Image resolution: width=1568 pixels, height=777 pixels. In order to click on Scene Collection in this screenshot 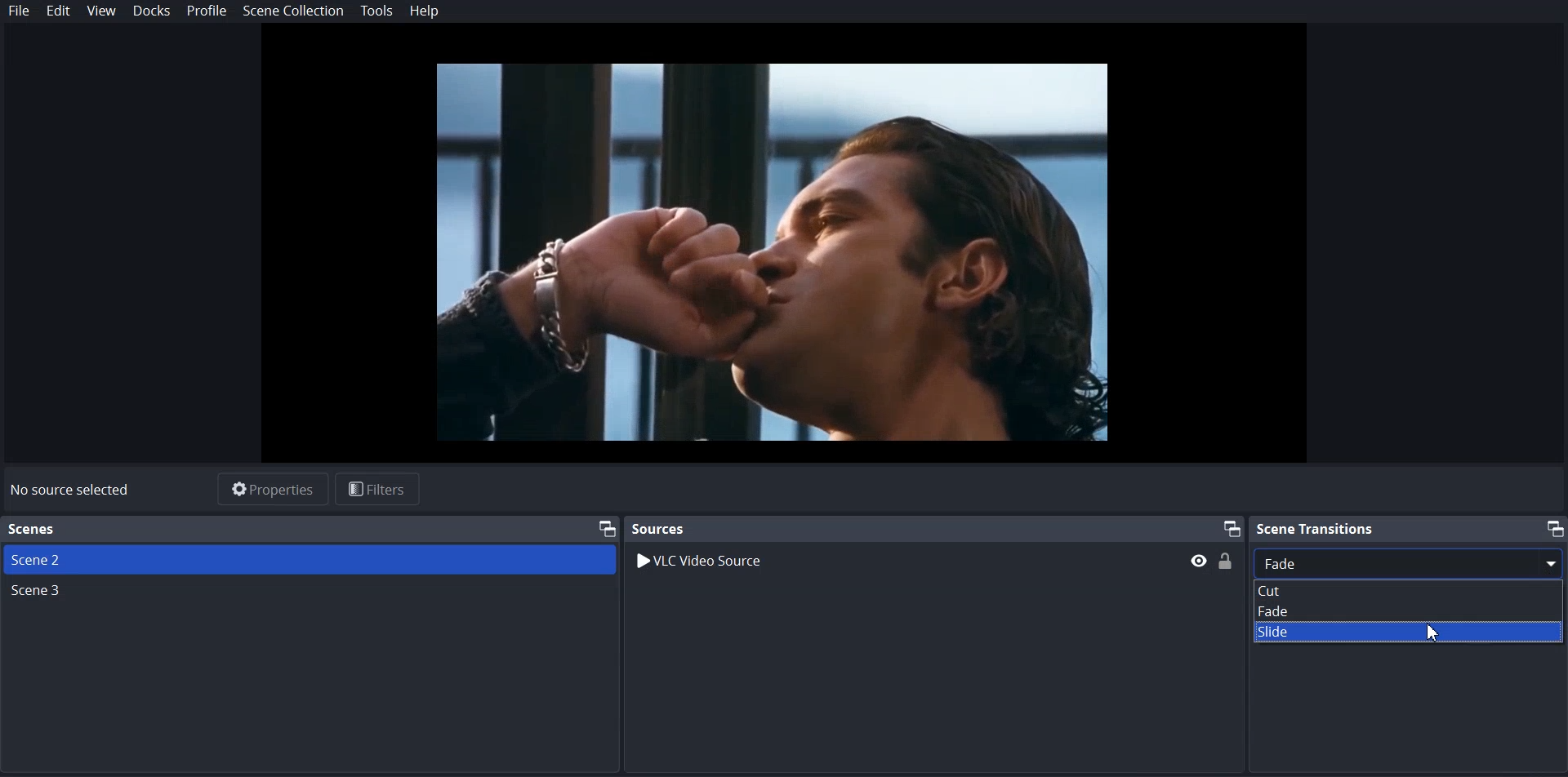, I will do `click(294, 12)`.